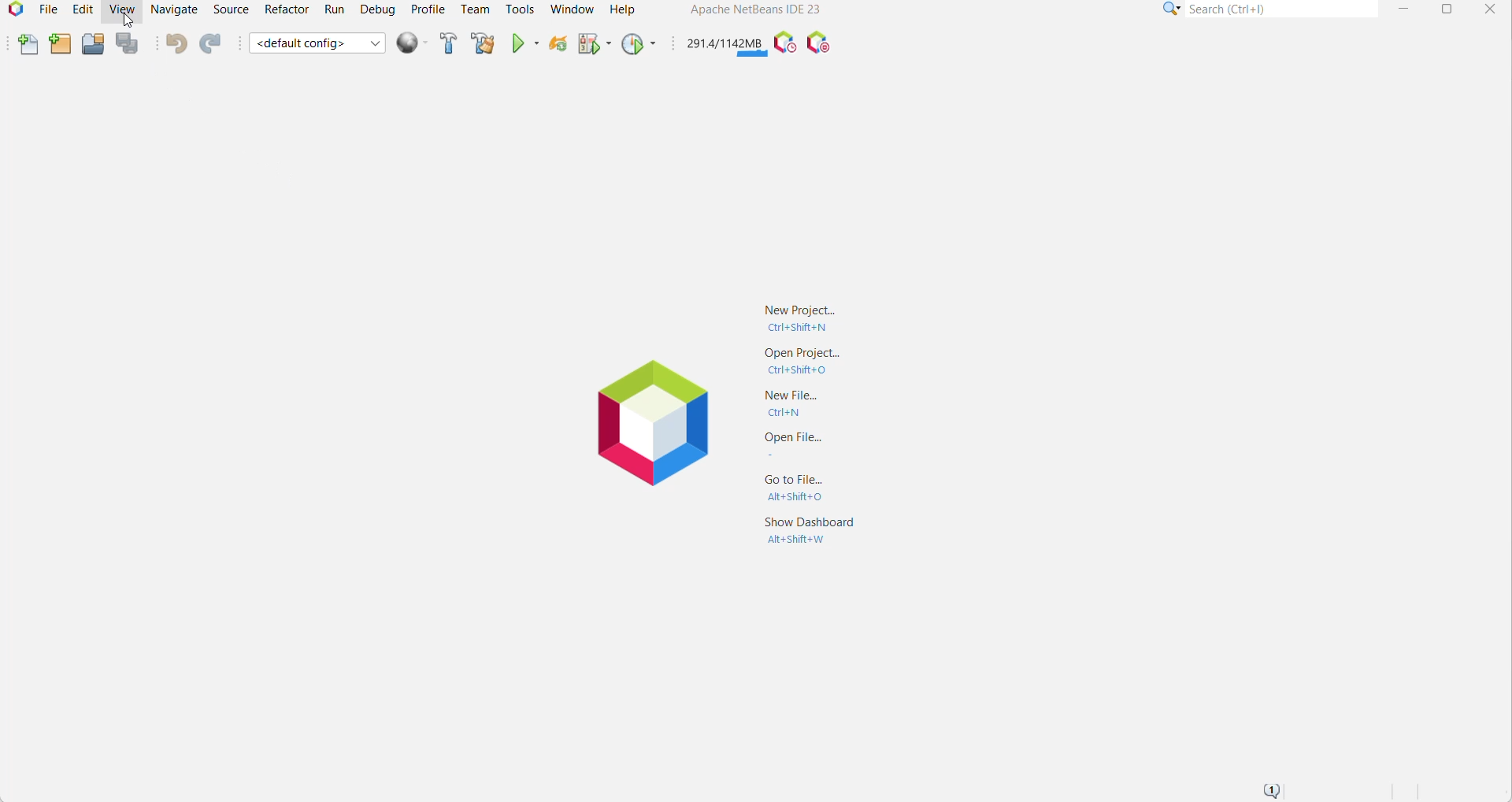 This screenshot has height=802, width=1512. What do you see at coordinates (176, 9) in the screenshot?
I see `Navigate` at bounding box center [176, 9].